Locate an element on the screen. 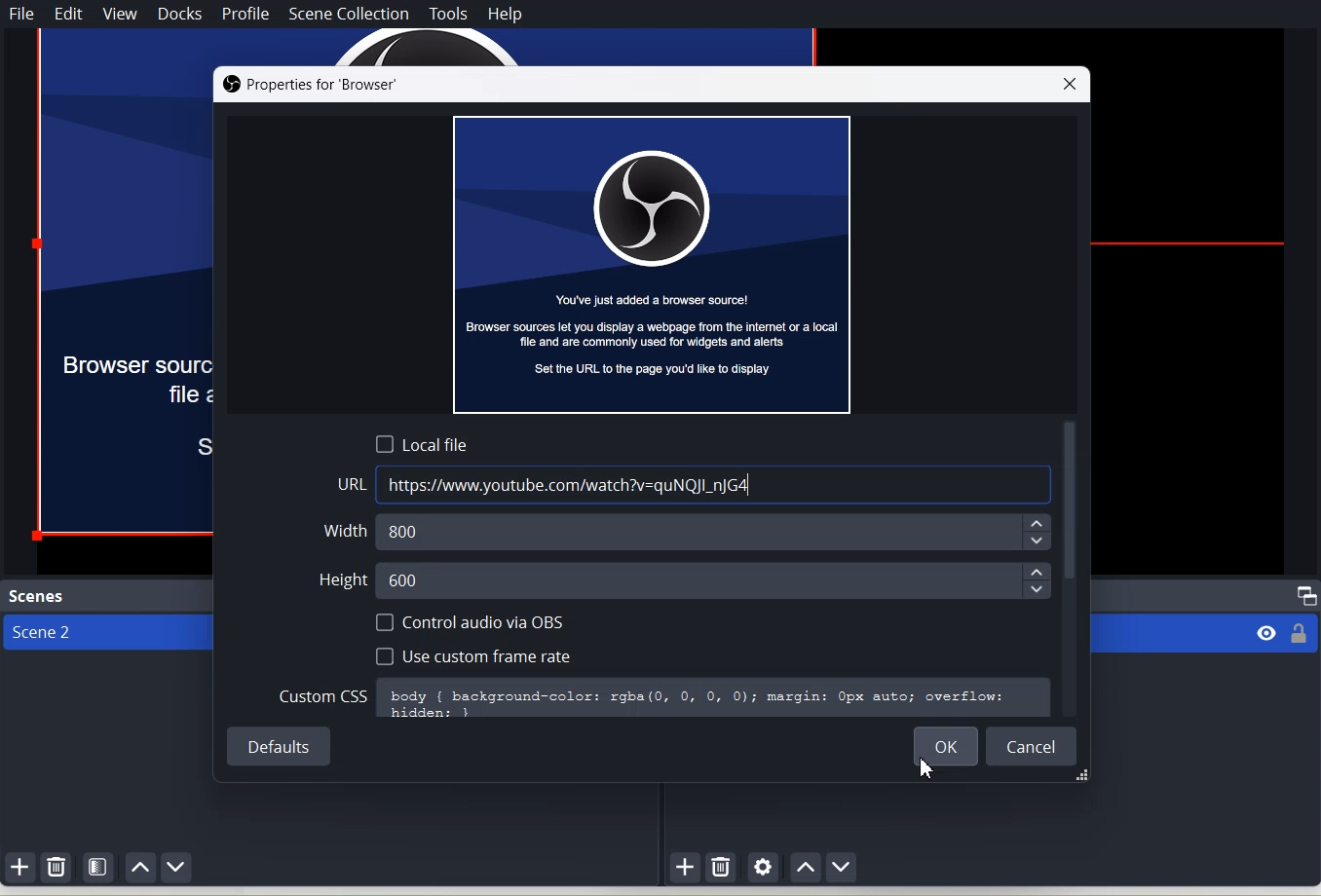  File is located at coordinates (22, 14).